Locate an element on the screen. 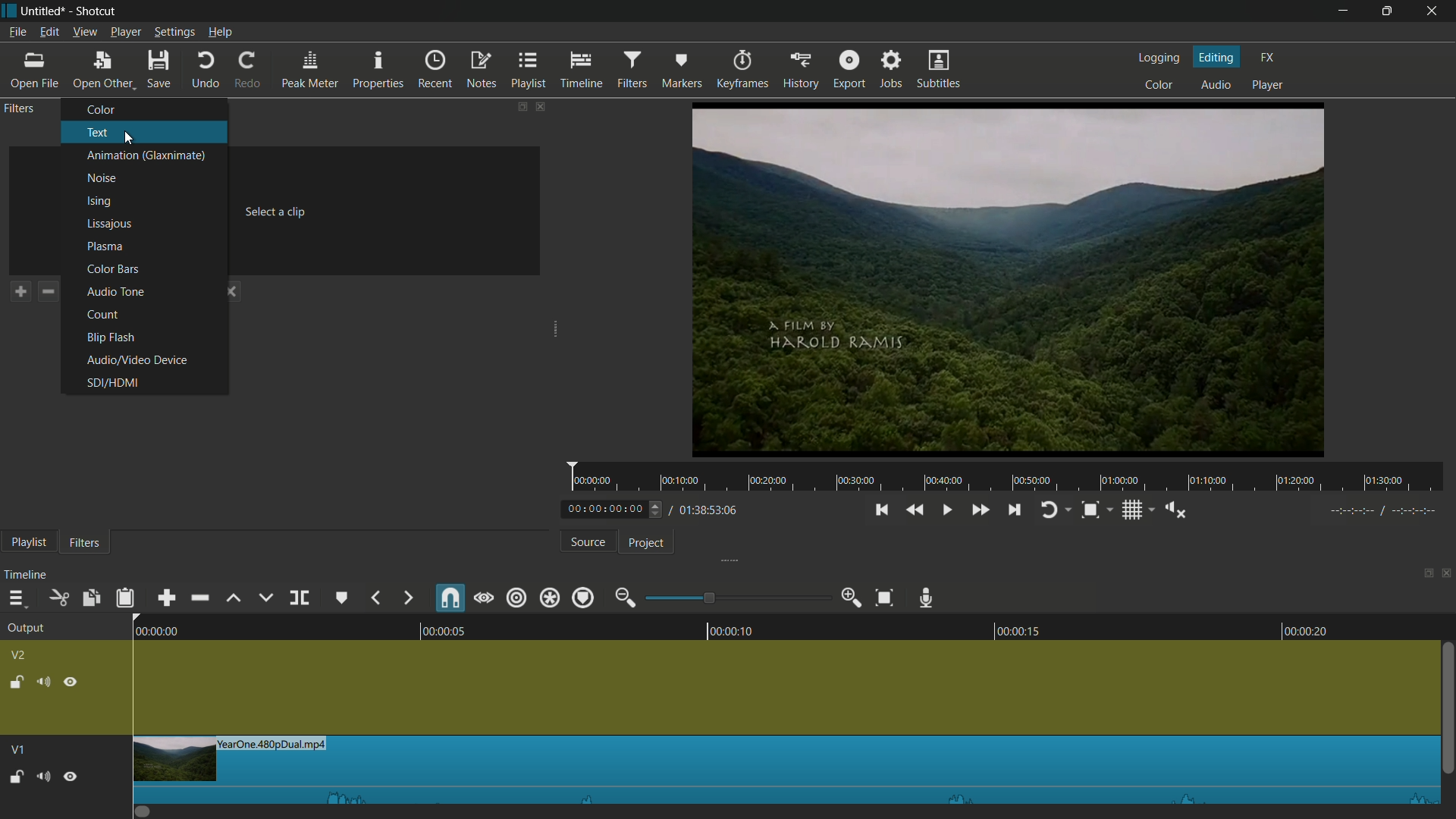  backward is located at coordinates (375, 596).